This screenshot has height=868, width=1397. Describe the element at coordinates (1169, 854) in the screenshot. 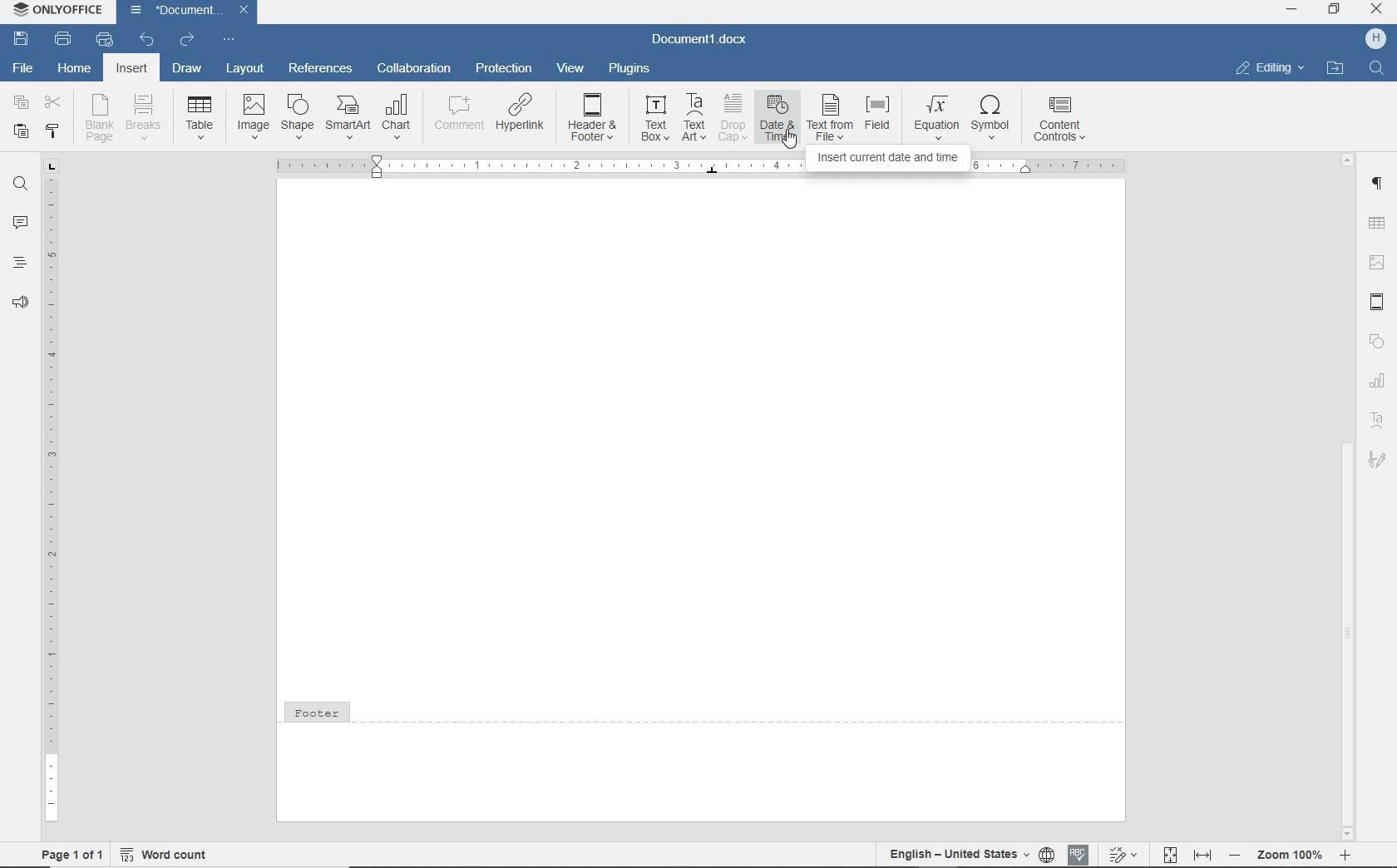

I see `fit to page` at that location.